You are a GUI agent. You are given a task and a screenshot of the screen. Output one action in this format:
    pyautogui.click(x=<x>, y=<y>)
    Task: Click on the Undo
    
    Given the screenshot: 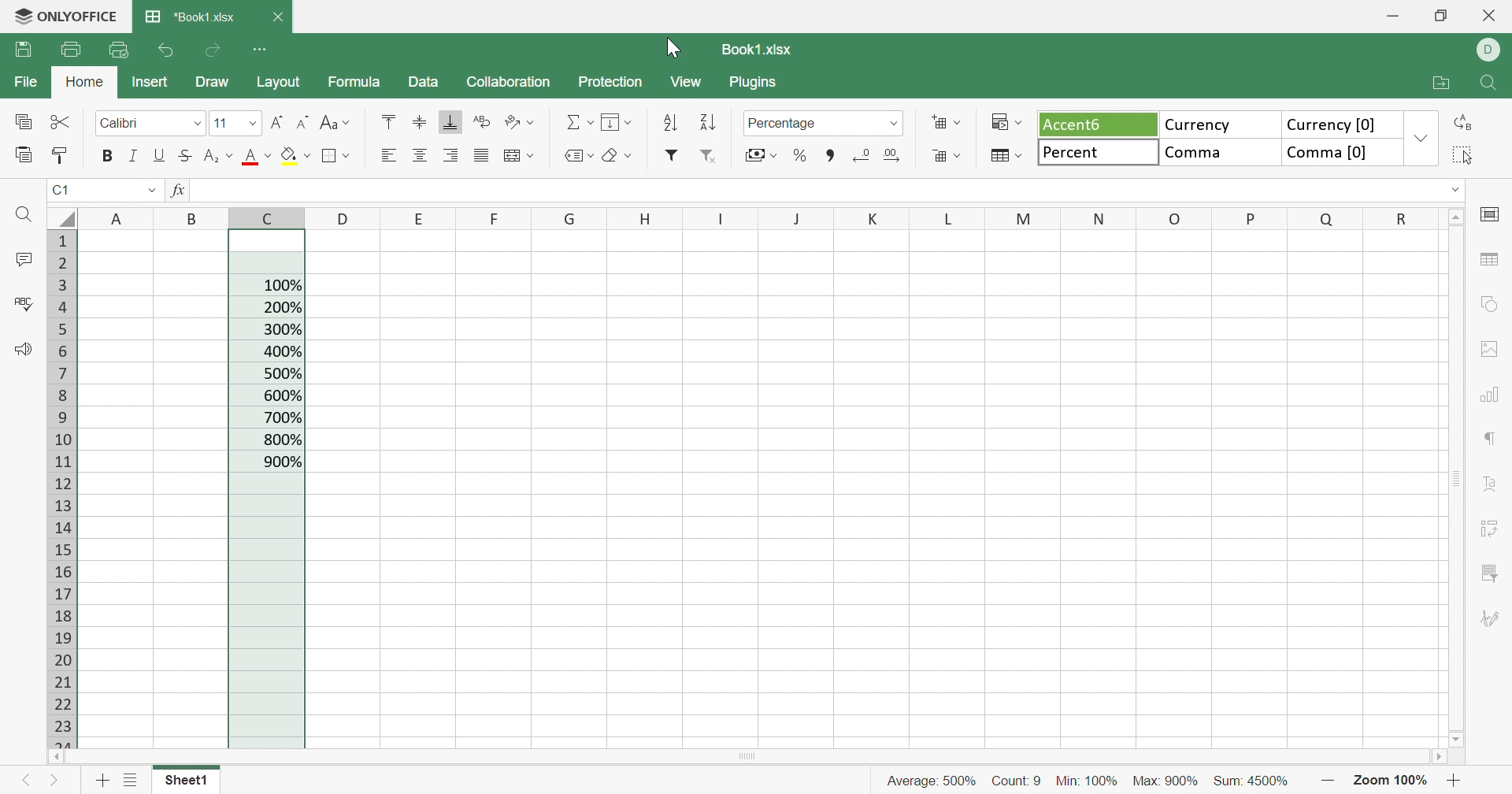 What is the action you would take?
    pyautogui.click(x=167, y=52)
    